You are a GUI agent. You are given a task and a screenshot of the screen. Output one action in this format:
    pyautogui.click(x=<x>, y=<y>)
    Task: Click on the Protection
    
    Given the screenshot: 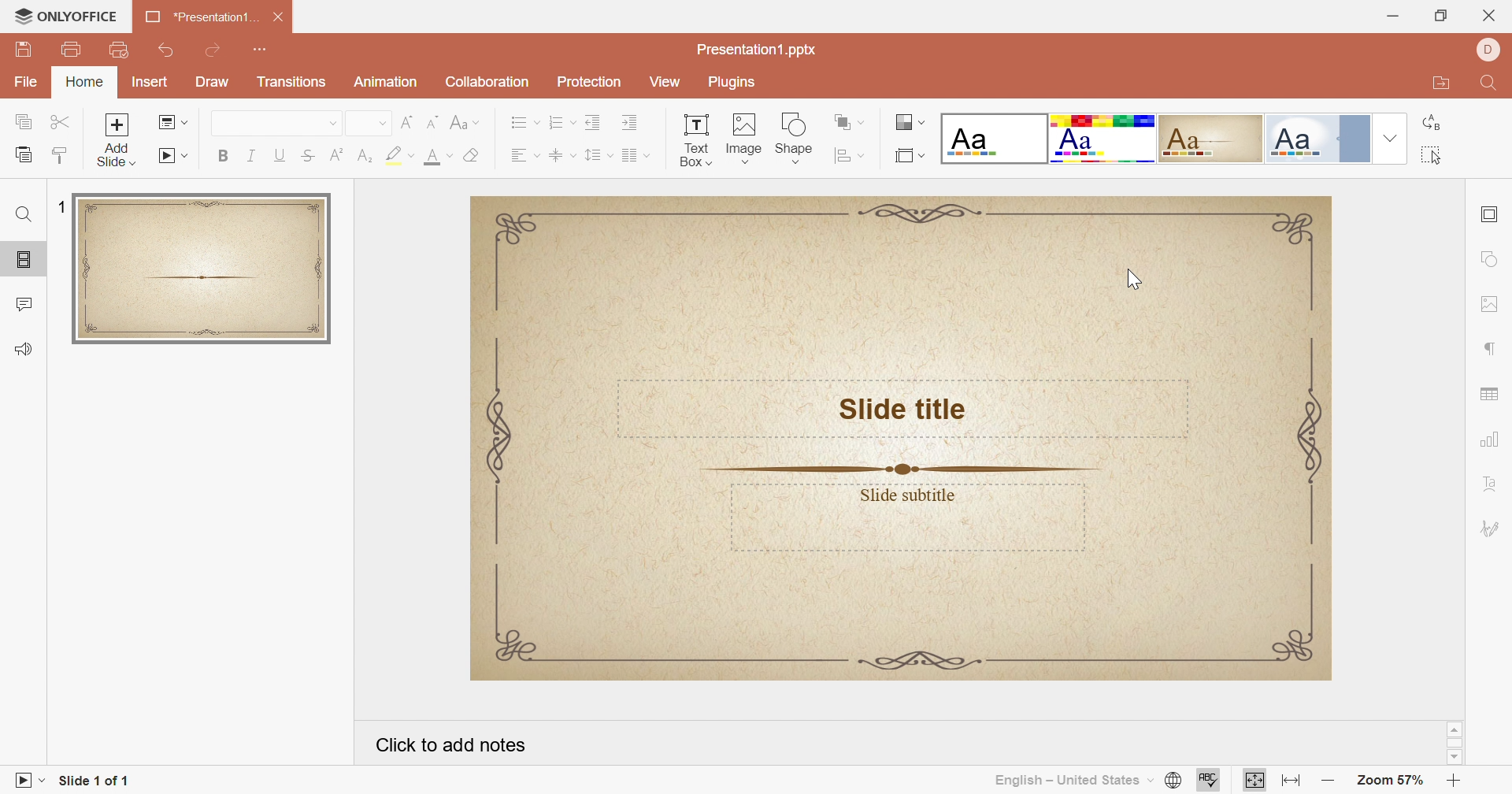 What is the action you would take?
    pyautogui.click(x=589, y=82)
    